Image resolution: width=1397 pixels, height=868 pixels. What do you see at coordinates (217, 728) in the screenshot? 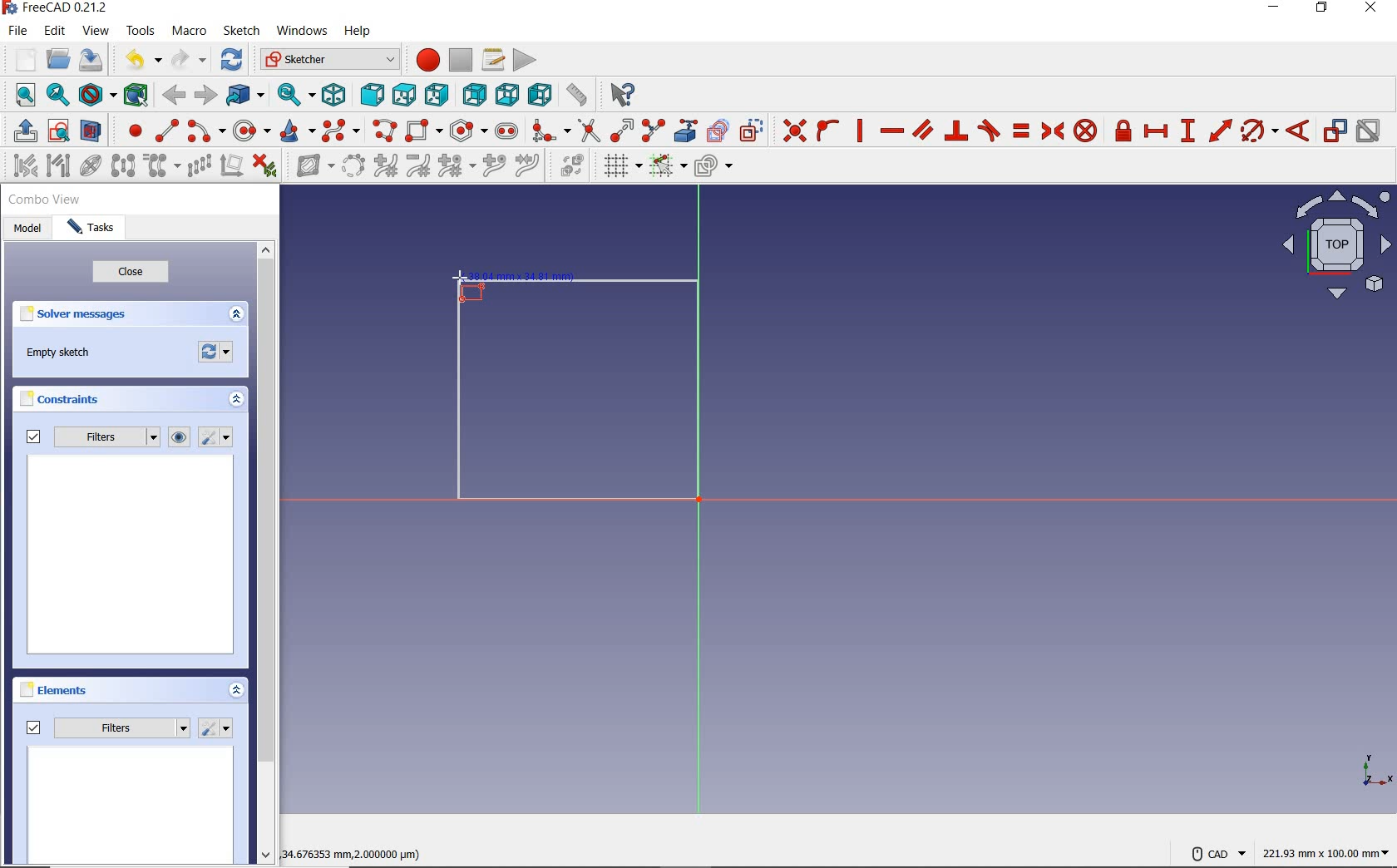
I see `settings` at bounding box center [217, 728].